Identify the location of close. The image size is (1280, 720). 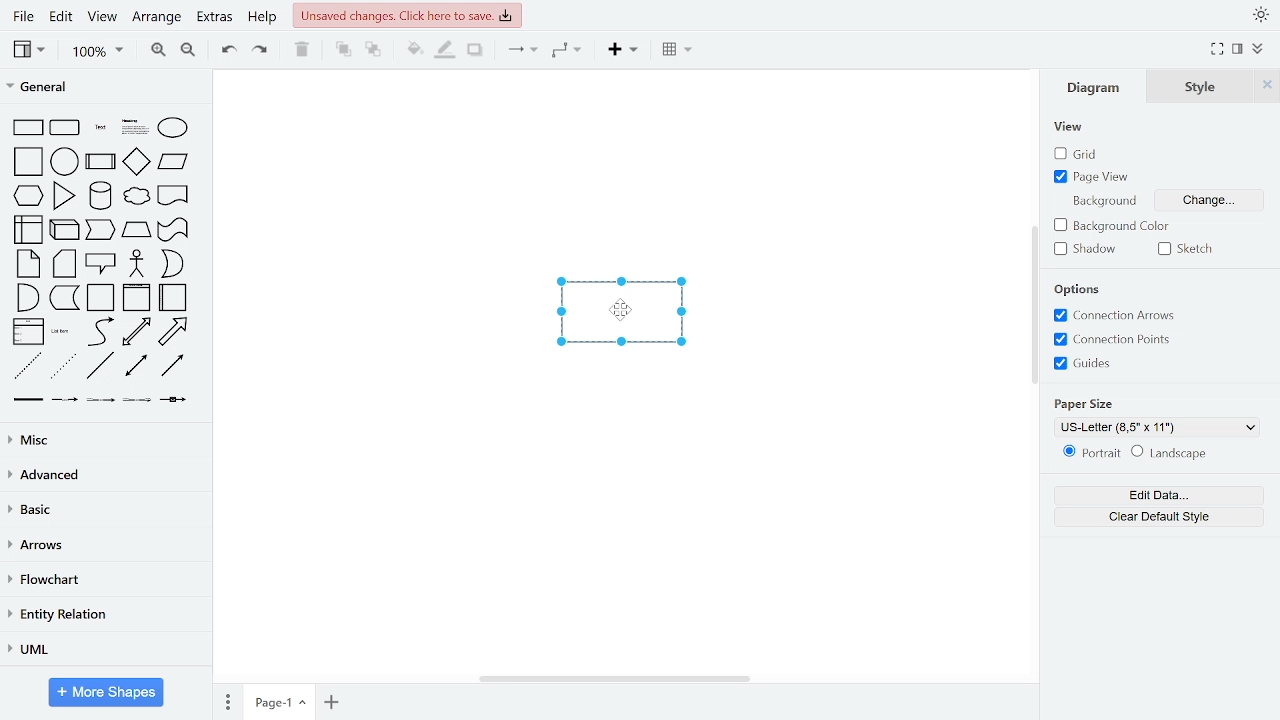
(1267, 87).